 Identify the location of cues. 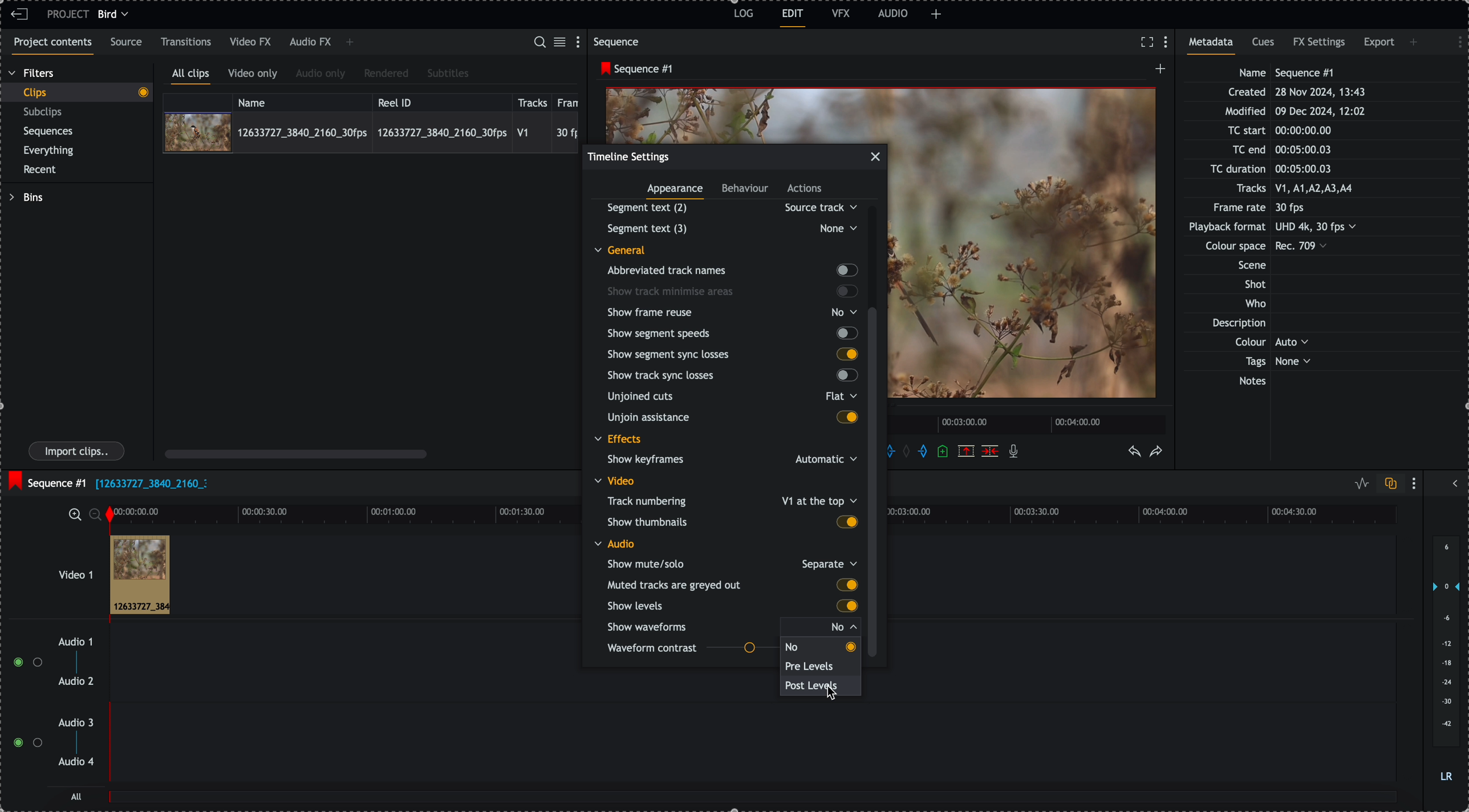
(1264, 46).